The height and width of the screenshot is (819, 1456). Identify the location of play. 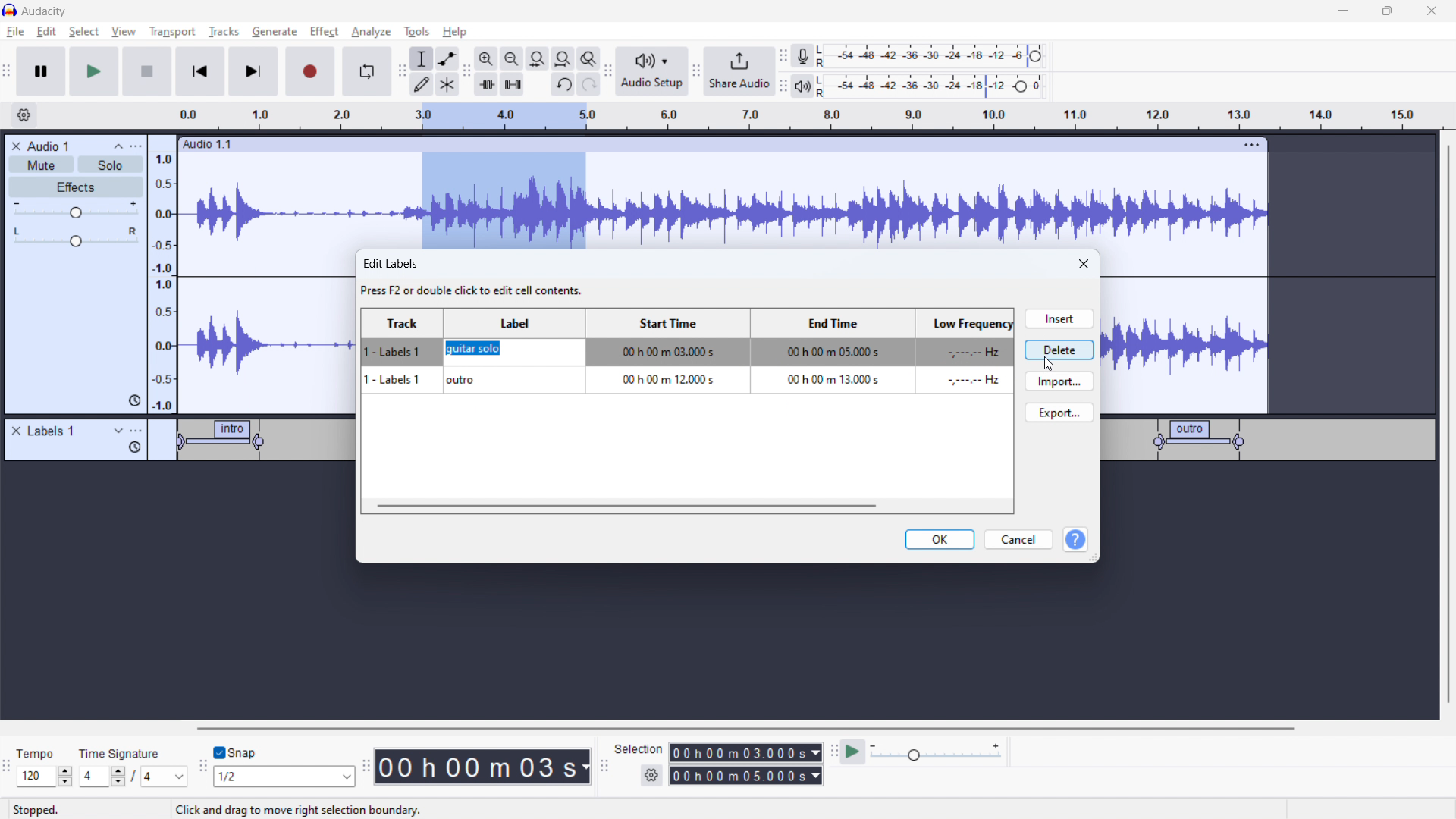
(93, 71).